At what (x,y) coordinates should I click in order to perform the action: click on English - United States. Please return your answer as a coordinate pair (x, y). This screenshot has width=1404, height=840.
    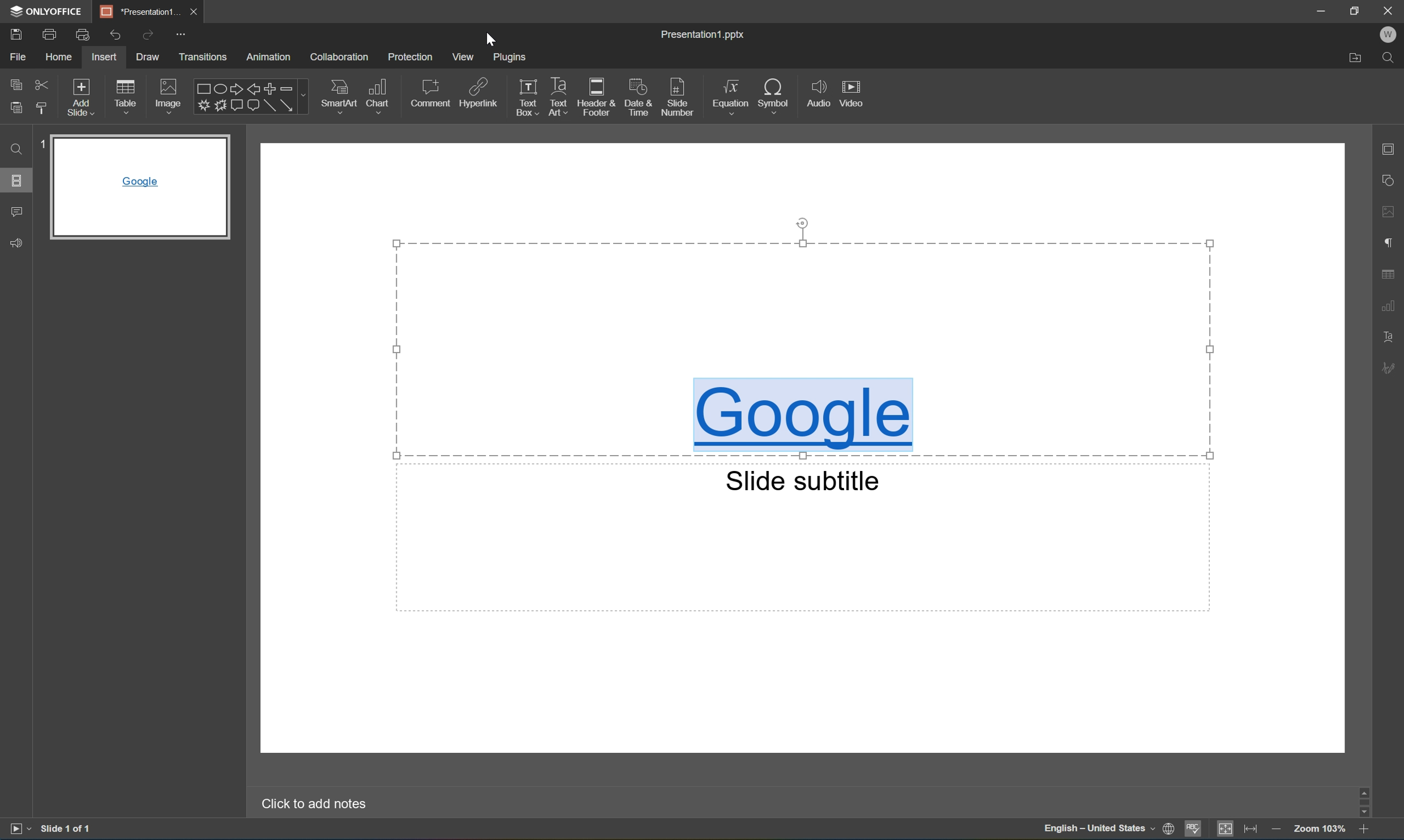
    Looking at the image, I should click on (1097, 829).